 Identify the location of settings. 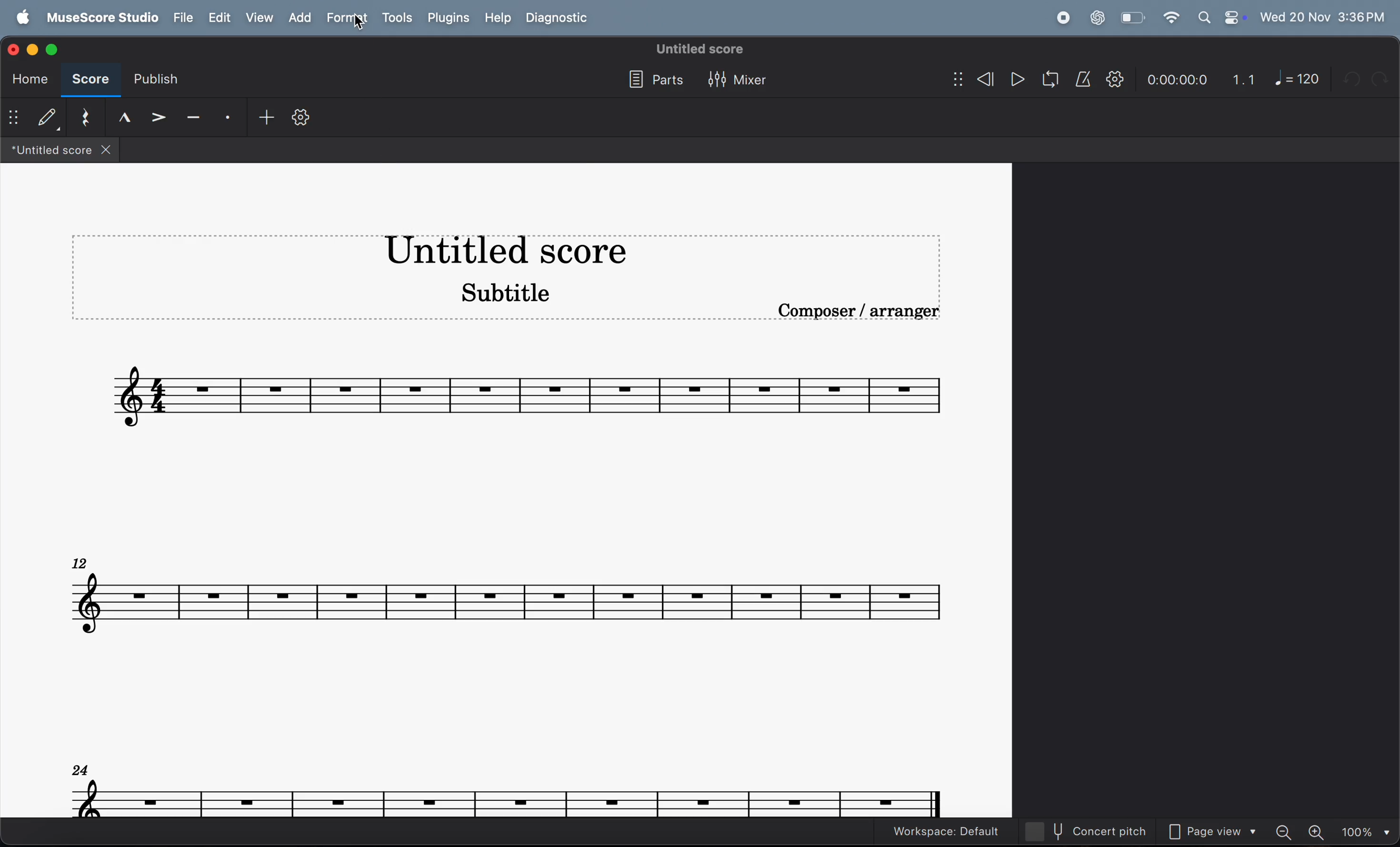
(1115, 80).